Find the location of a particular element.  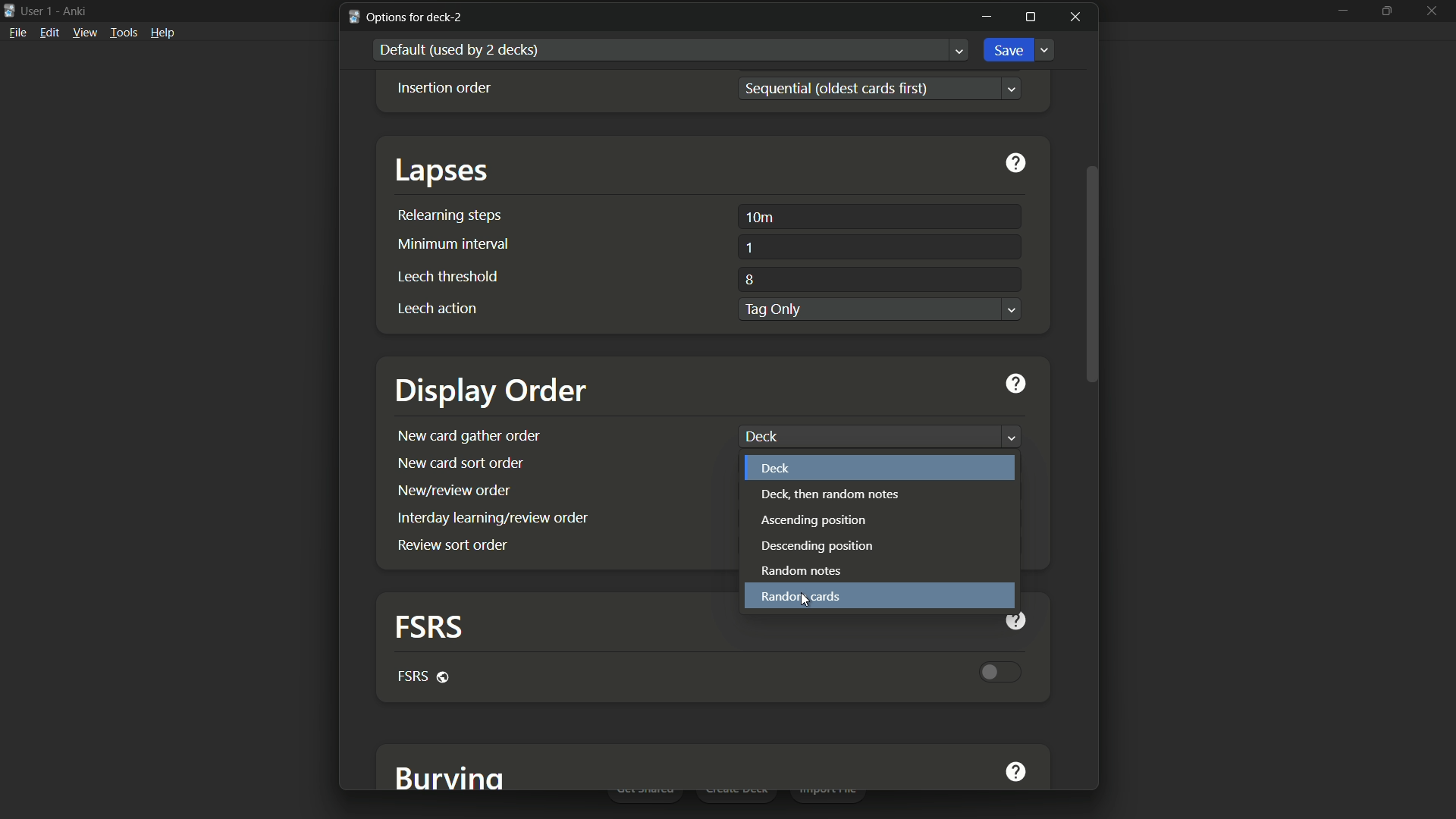

descending position is located at coordinates (820, 548).